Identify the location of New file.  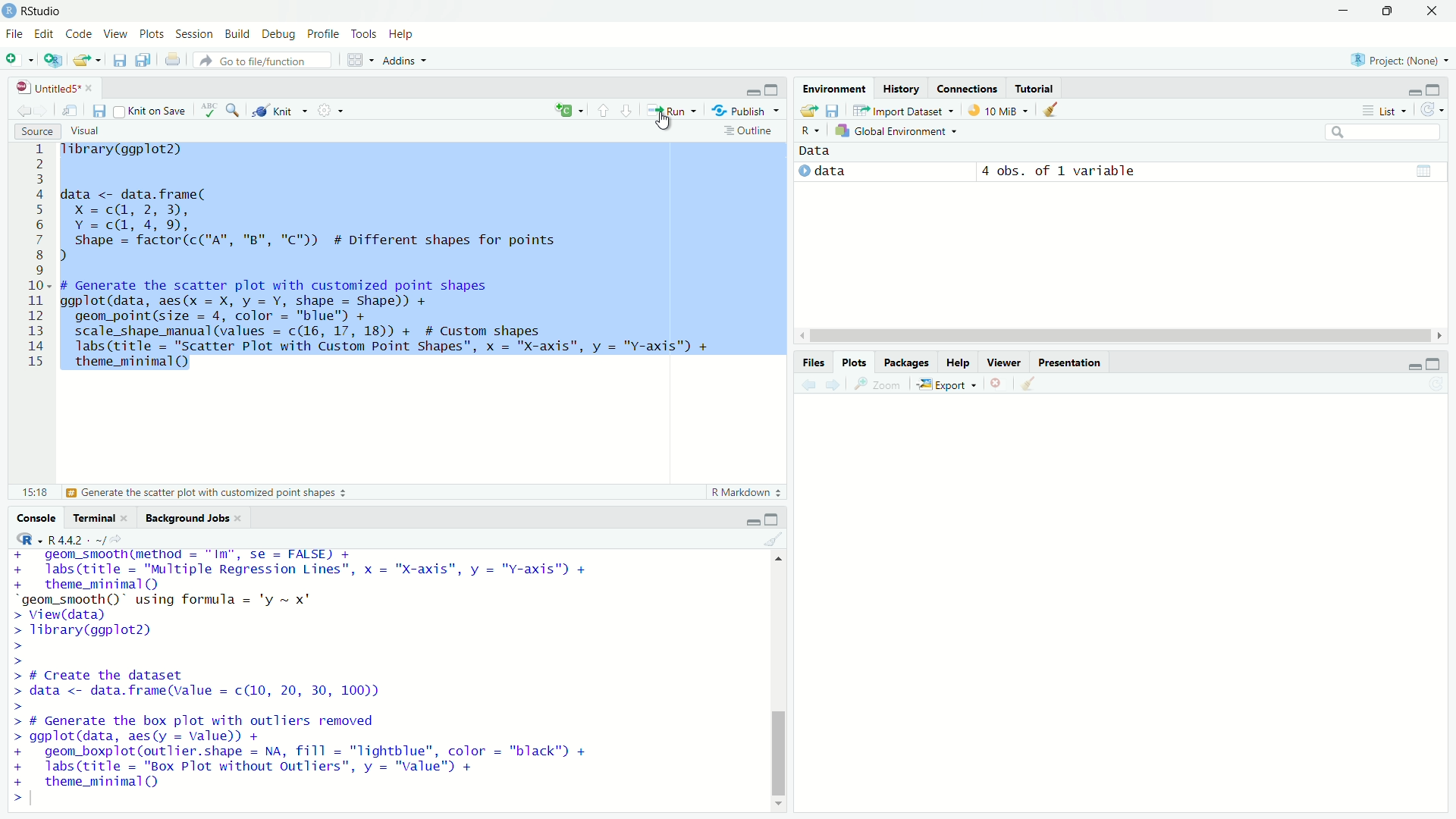
(19, 60).